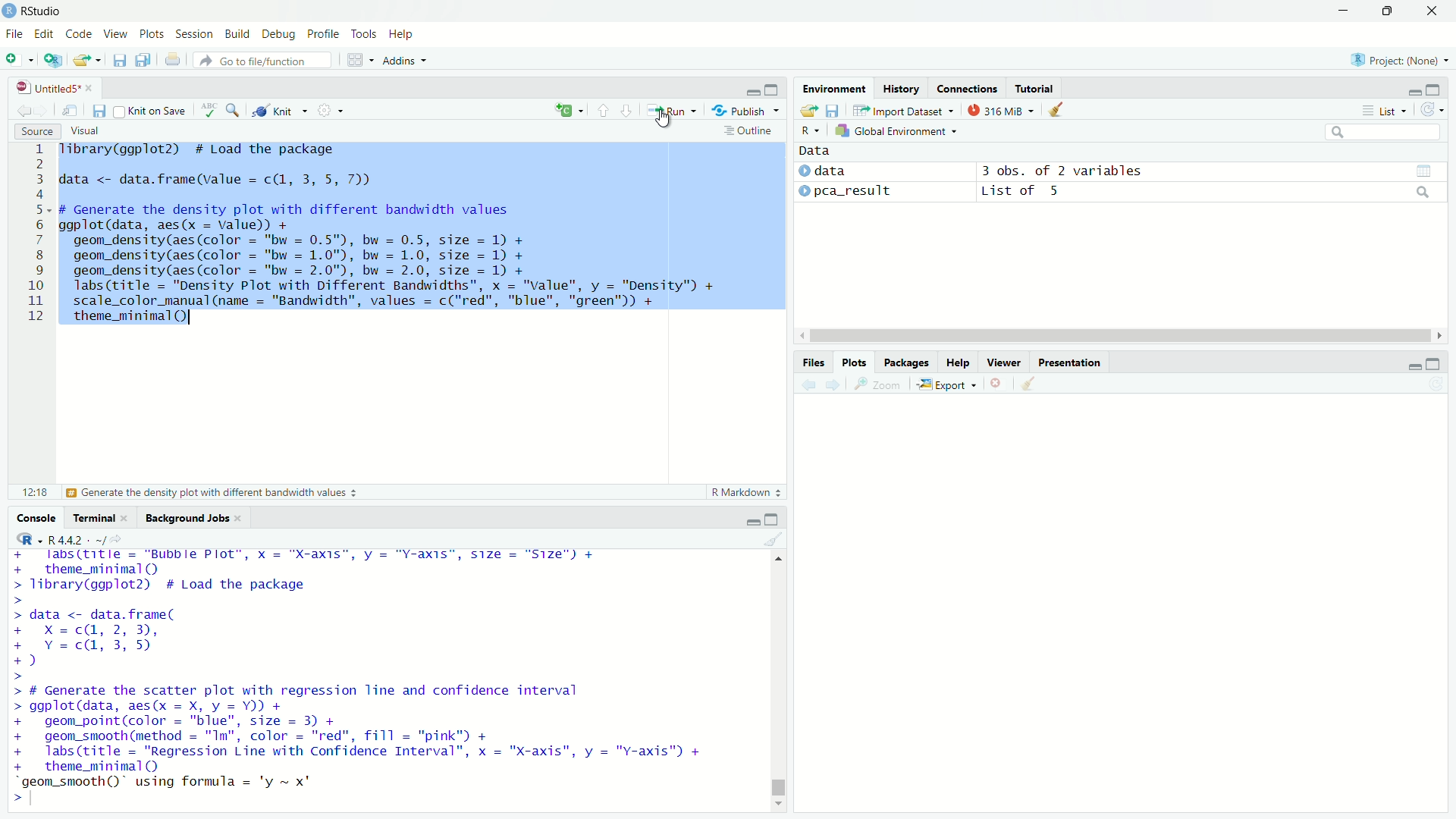 This screenshot has width=1456, height=819. Describe the element at coordinates (965, 87) in the screenshot. I see `Connections` at that location.